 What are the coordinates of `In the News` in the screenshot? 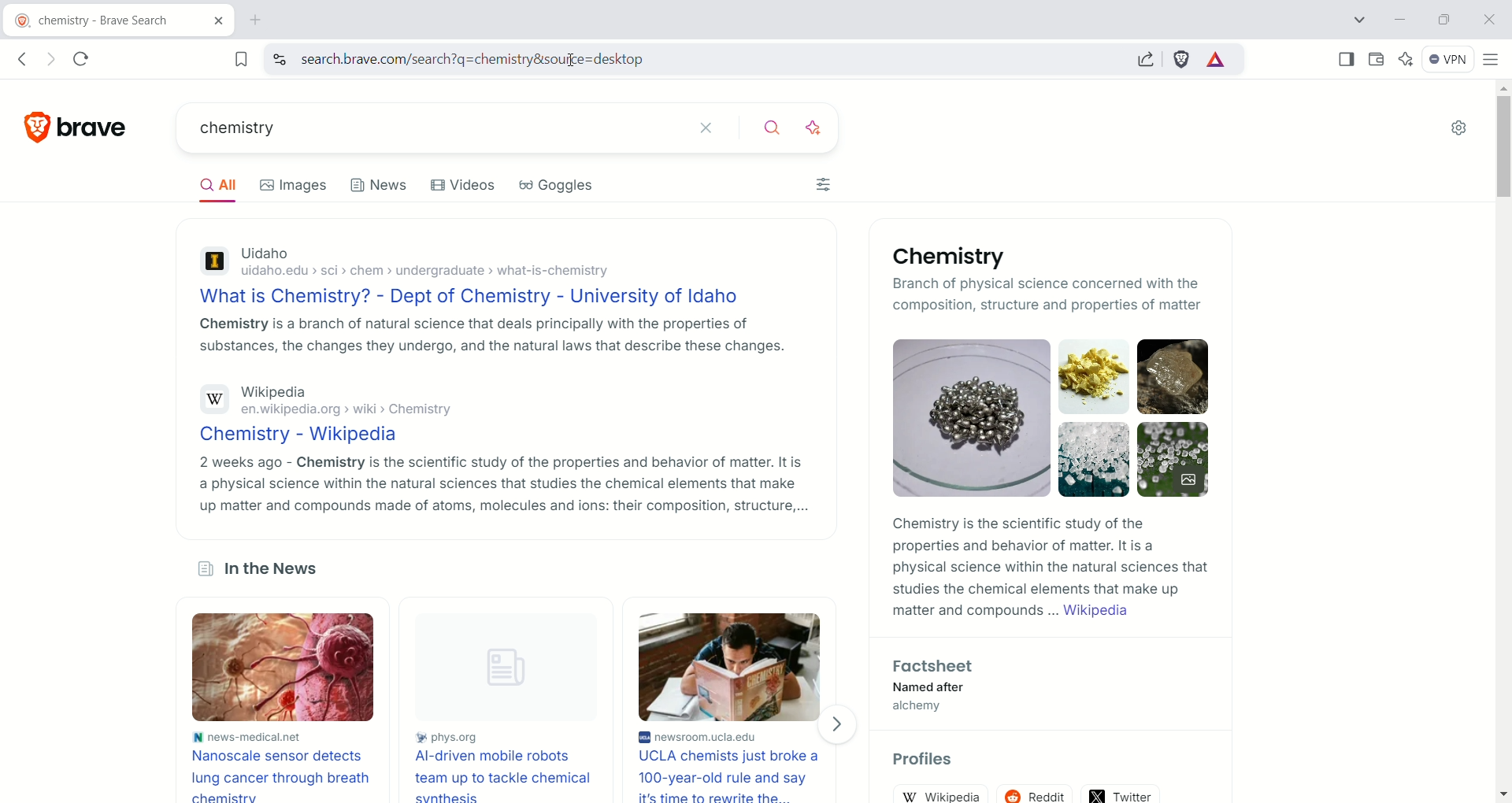 It's located at (261, 571).